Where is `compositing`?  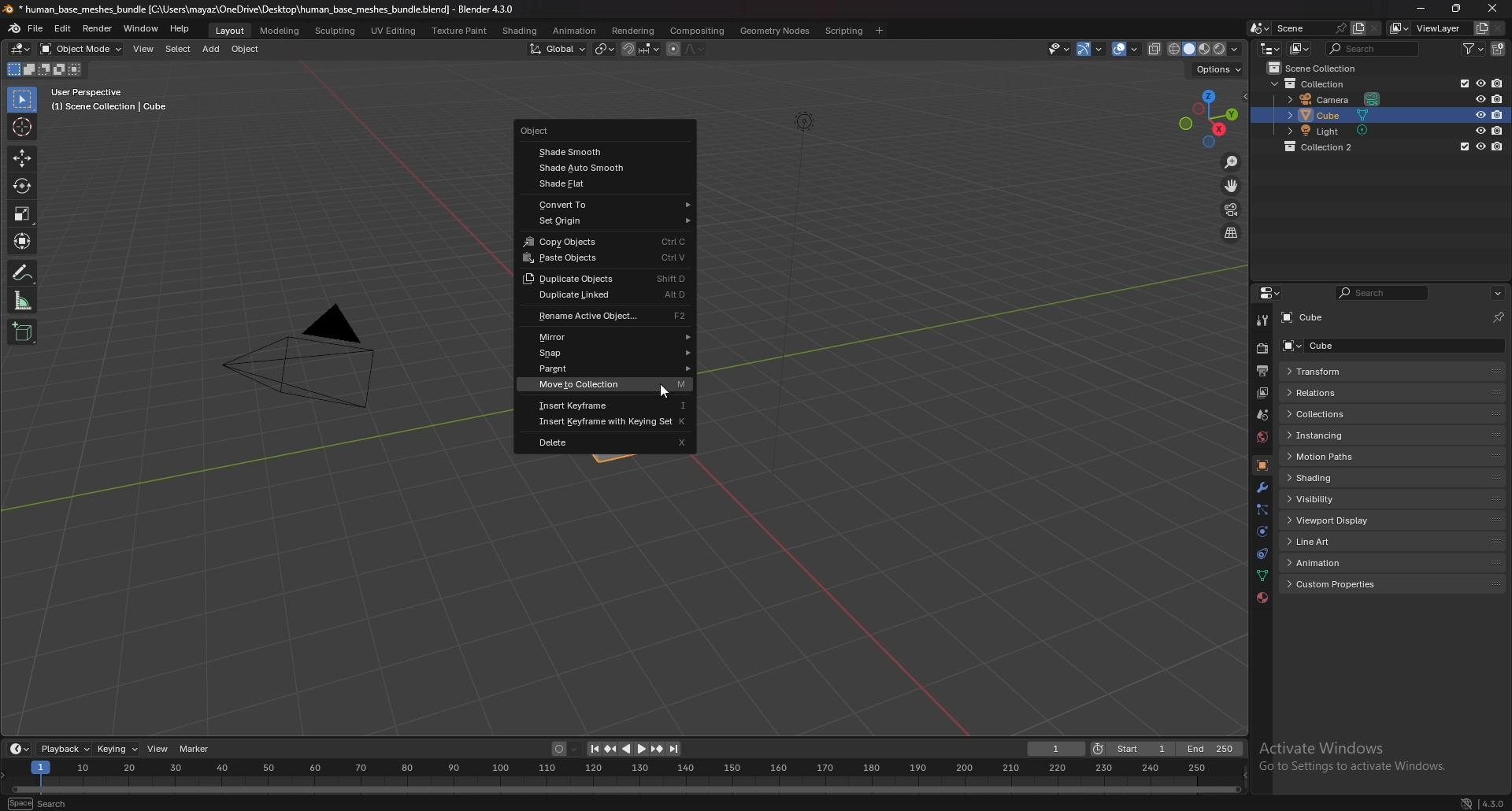
compositing is located at coordinates (697, 31).